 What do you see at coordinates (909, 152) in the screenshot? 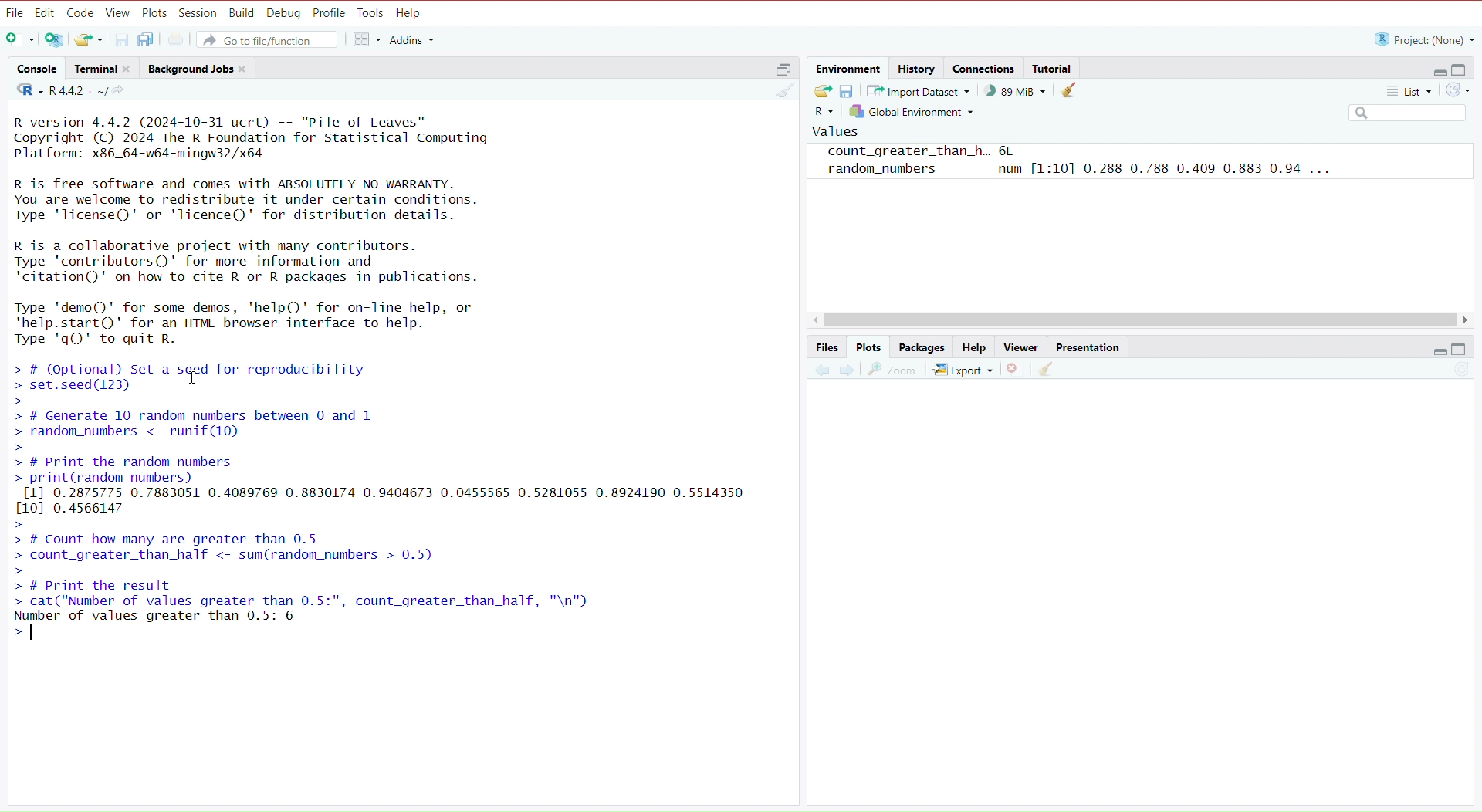
I see `count_greater_than_h..` at bounding box center [909, 152].